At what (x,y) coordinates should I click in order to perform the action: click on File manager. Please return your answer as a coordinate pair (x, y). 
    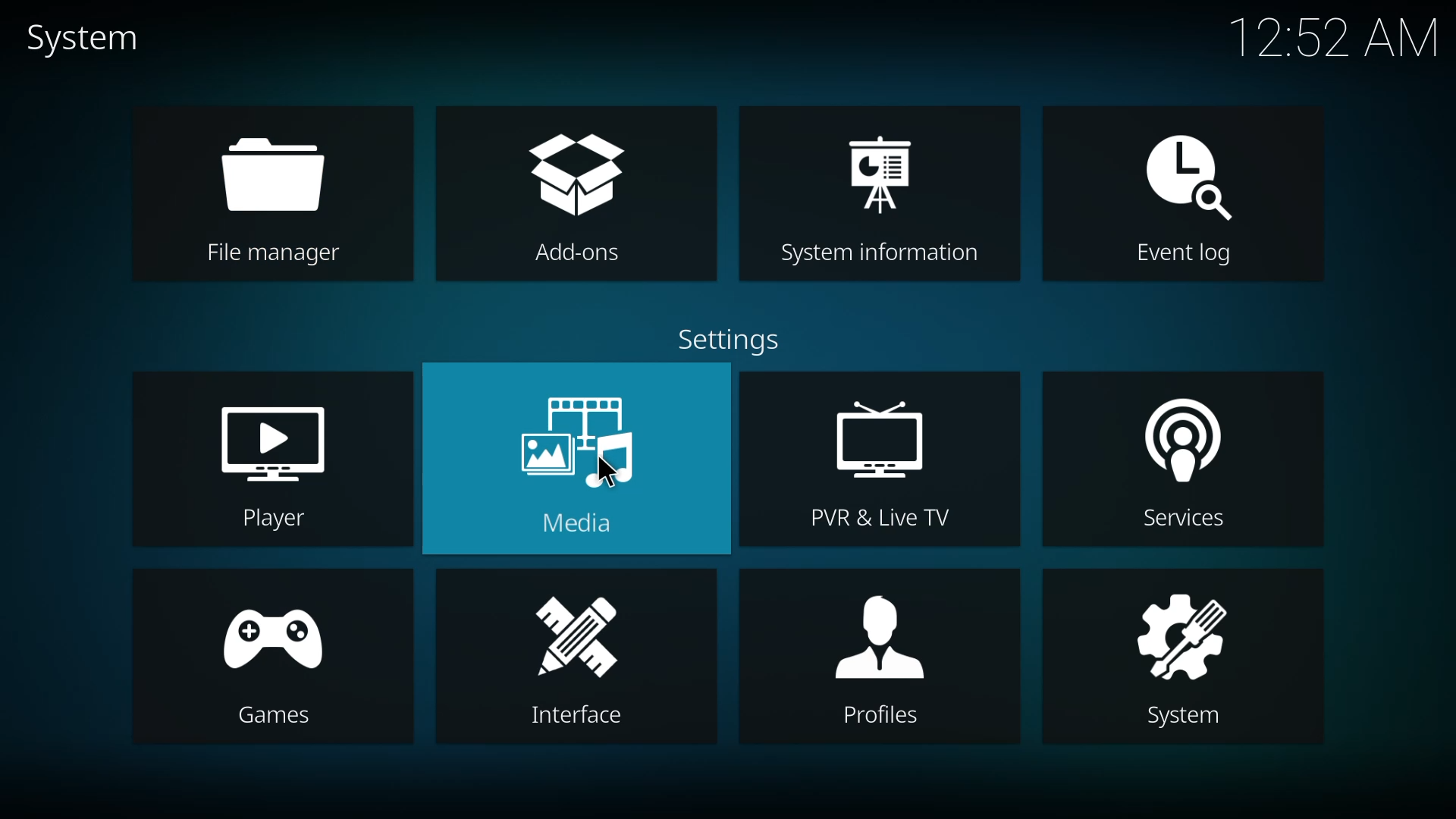
    Looking at the image, I should click on (275, 259).